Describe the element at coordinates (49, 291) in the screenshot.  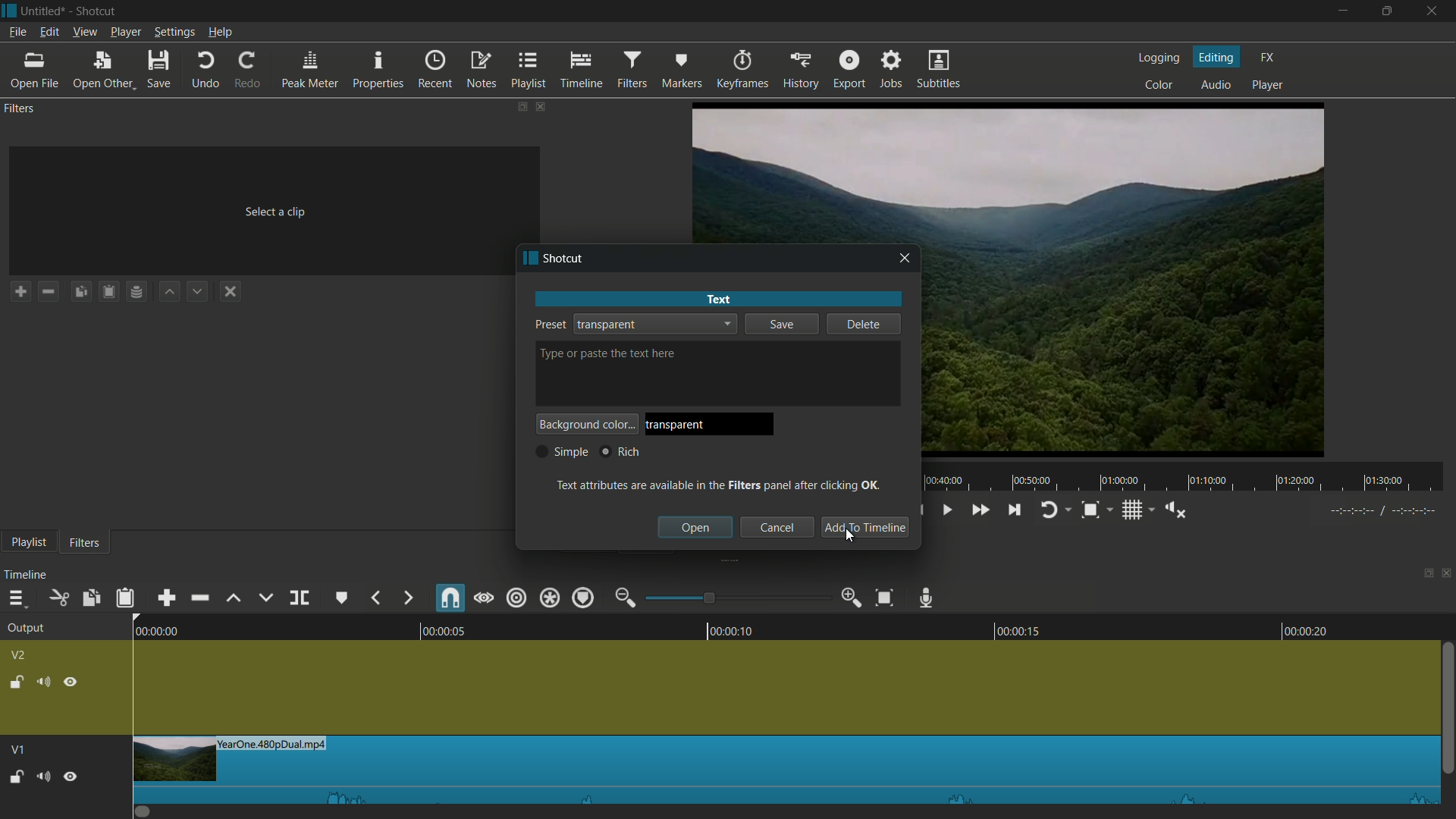
I see `remove a filter` at that location.